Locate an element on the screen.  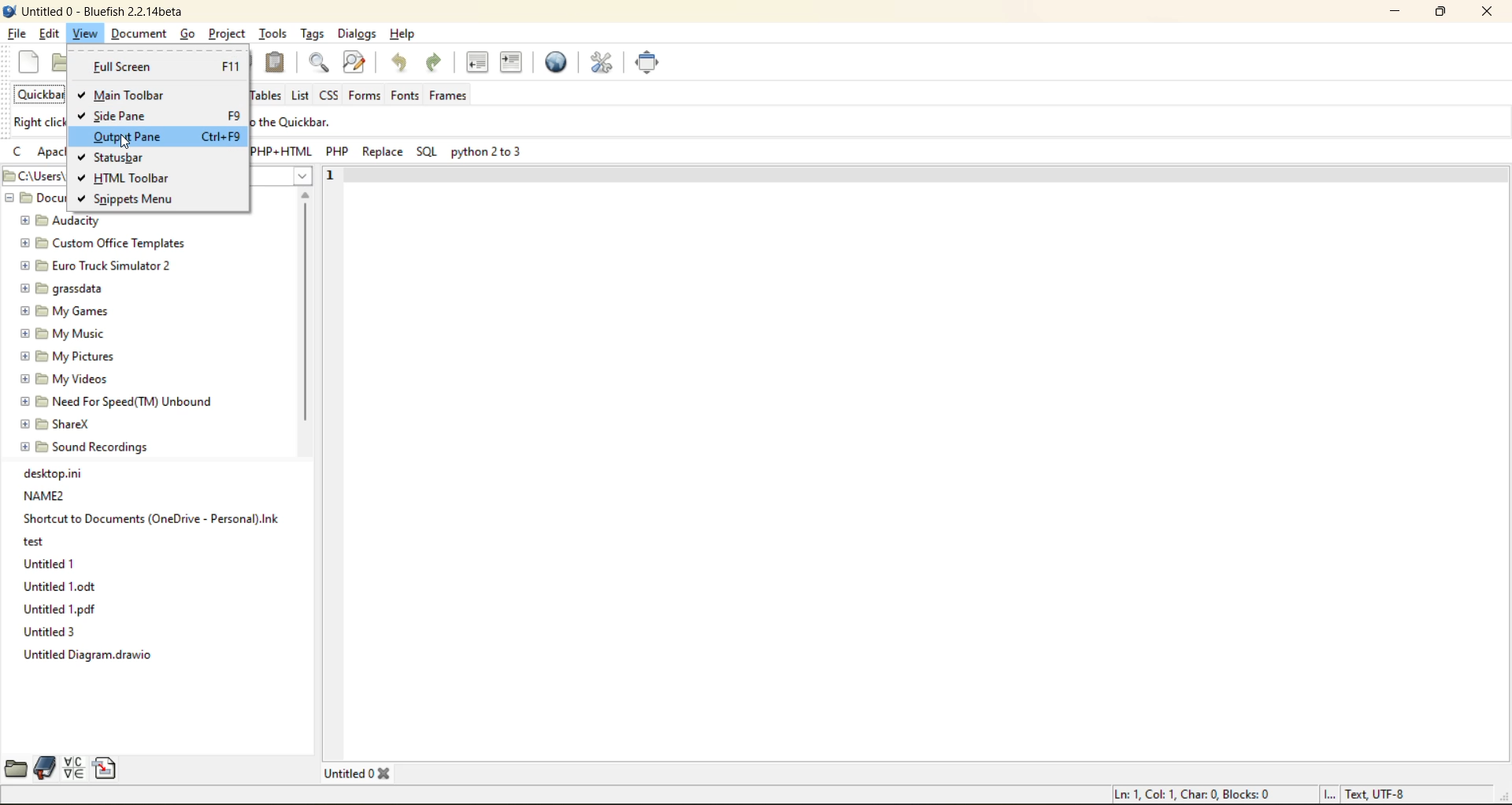
Need For Speed(TM) Unbound is located at coordinates (113, 402).